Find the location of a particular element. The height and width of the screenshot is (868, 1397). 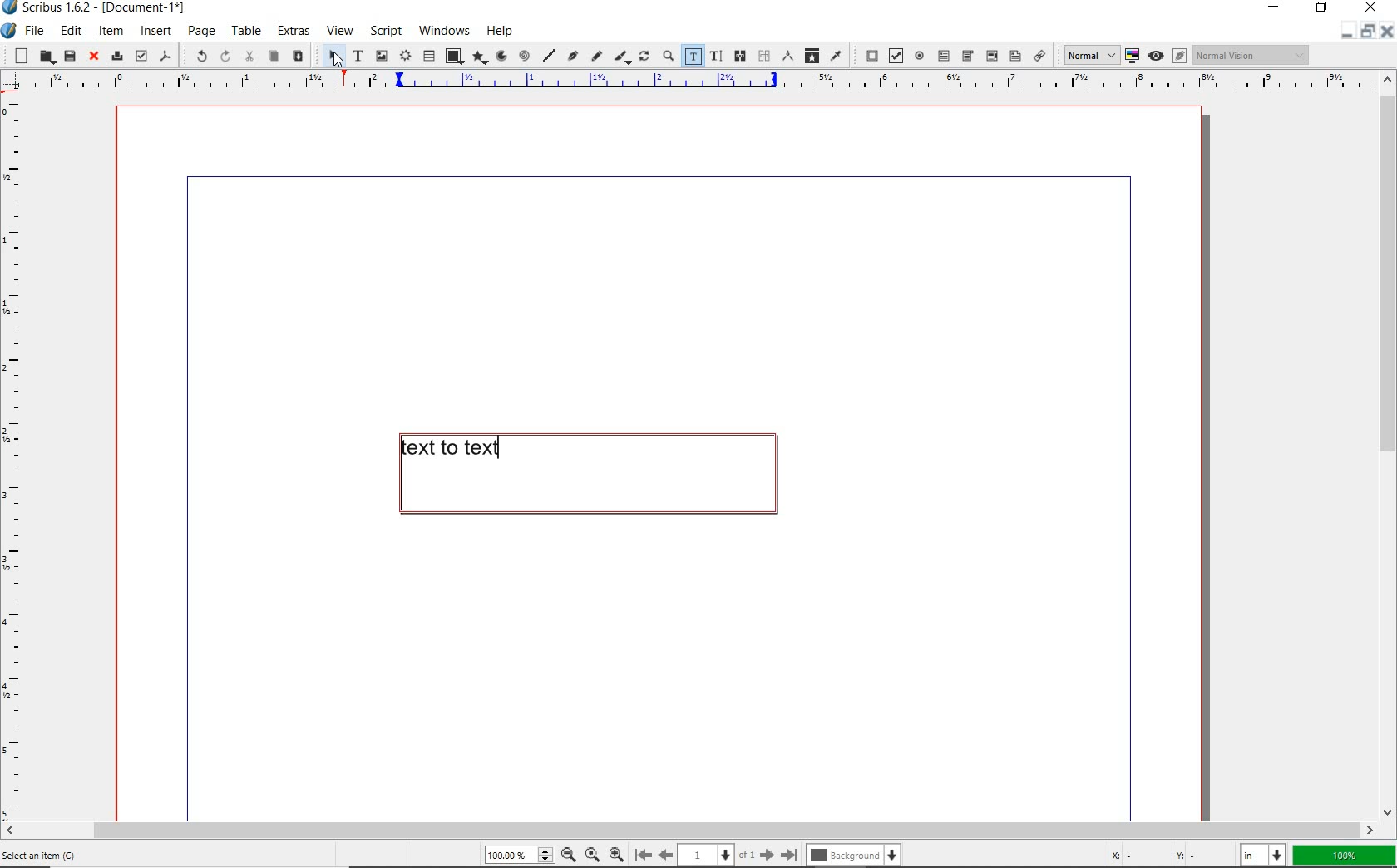

redo is located at coordinates (224, 56).